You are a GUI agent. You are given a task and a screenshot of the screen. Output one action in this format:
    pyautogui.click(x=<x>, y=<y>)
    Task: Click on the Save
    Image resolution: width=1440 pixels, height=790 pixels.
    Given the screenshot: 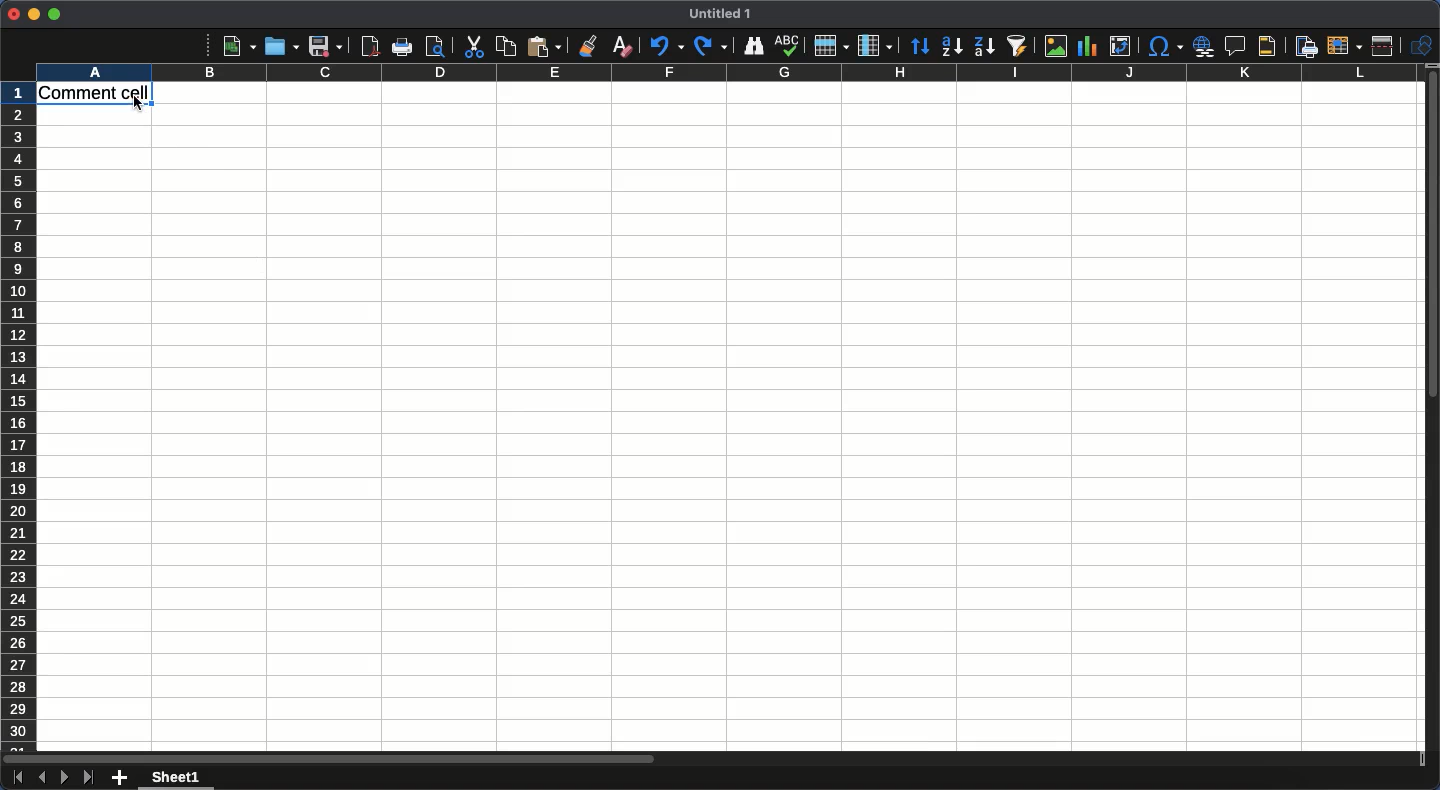 What is the action you would take?
    pyautogui.click(x=324, y=46)
    